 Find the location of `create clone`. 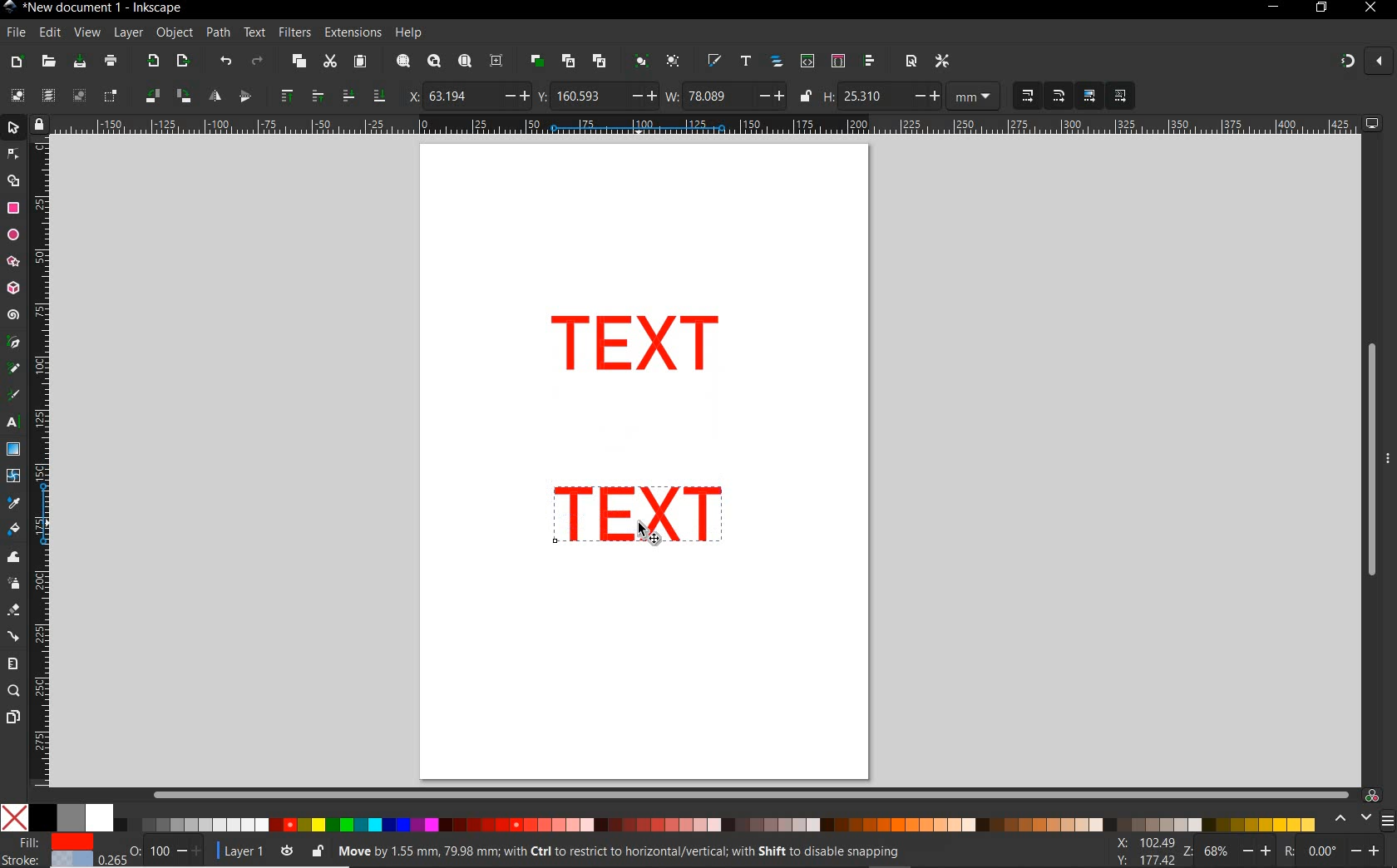

create clone is located at coordinates (567, 62).